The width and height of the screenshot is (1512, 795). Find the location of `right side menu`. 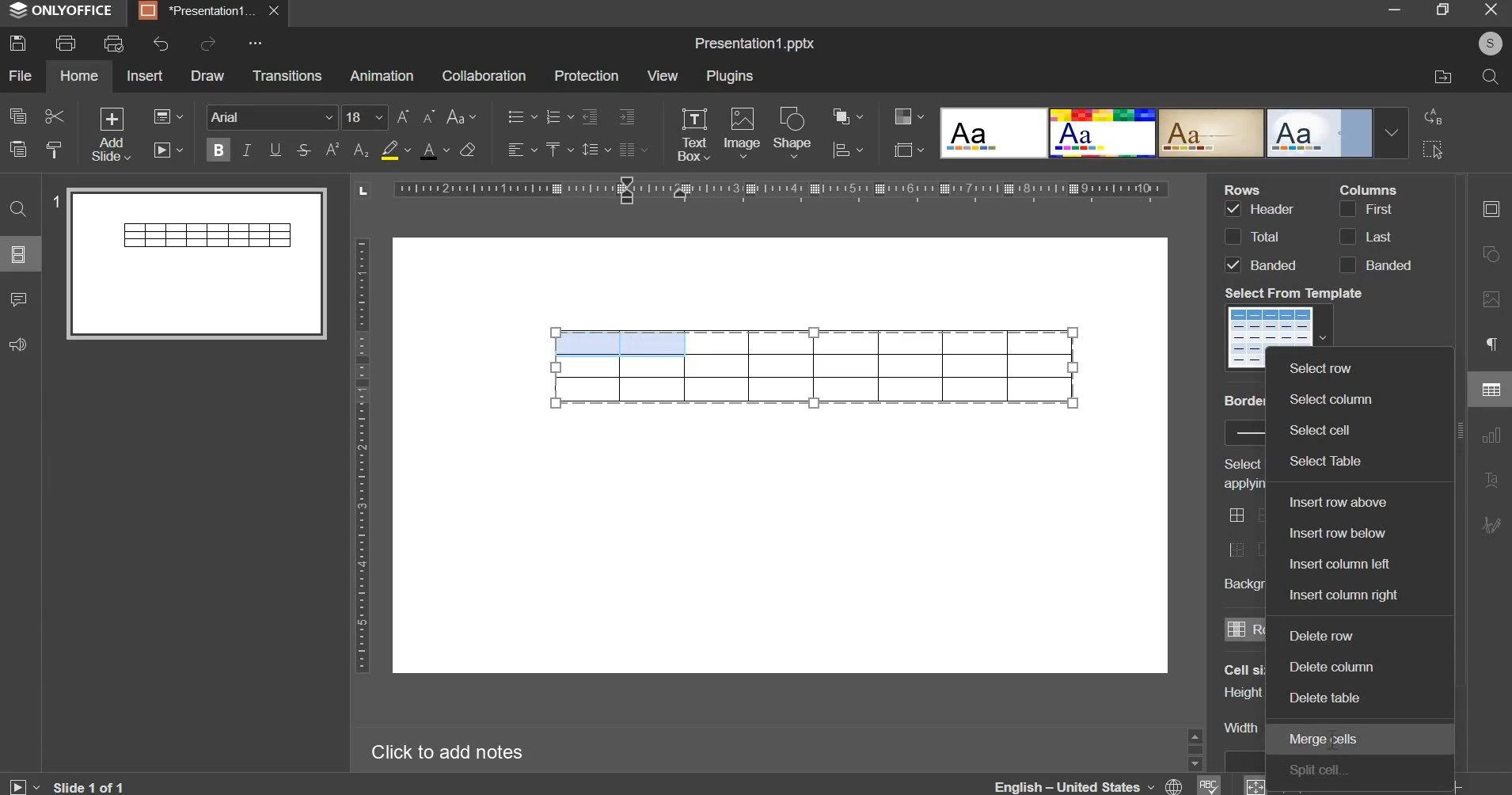

right side menu is located at coordinates (1491, 371).